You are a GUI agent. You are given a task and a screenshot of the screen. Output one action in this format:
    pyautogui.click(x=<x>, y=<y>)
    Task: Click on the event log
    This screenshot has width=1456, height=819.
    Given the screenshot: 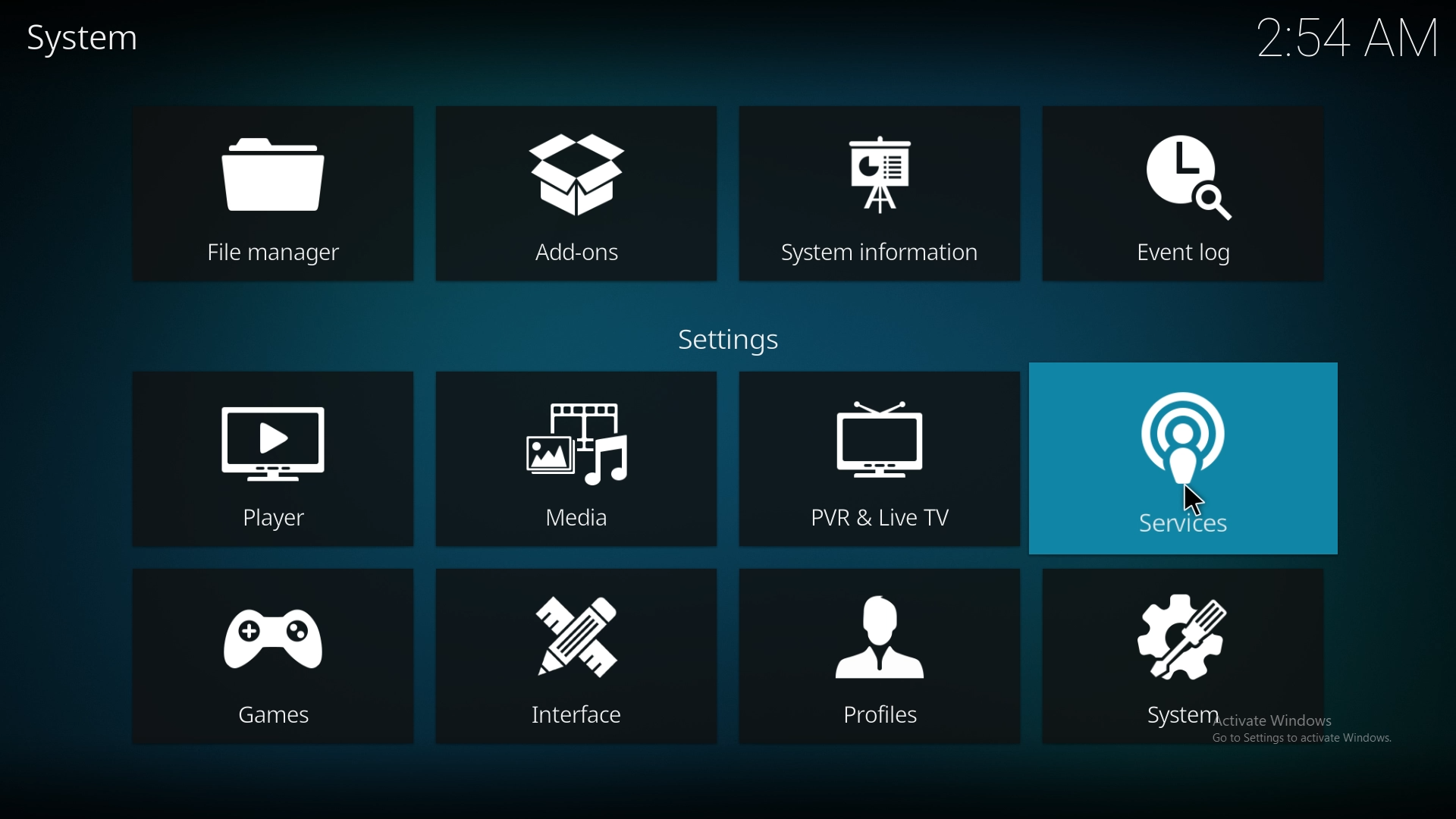 What is the action you would take?
    pyautogui.click(x=1186, y=196)
    